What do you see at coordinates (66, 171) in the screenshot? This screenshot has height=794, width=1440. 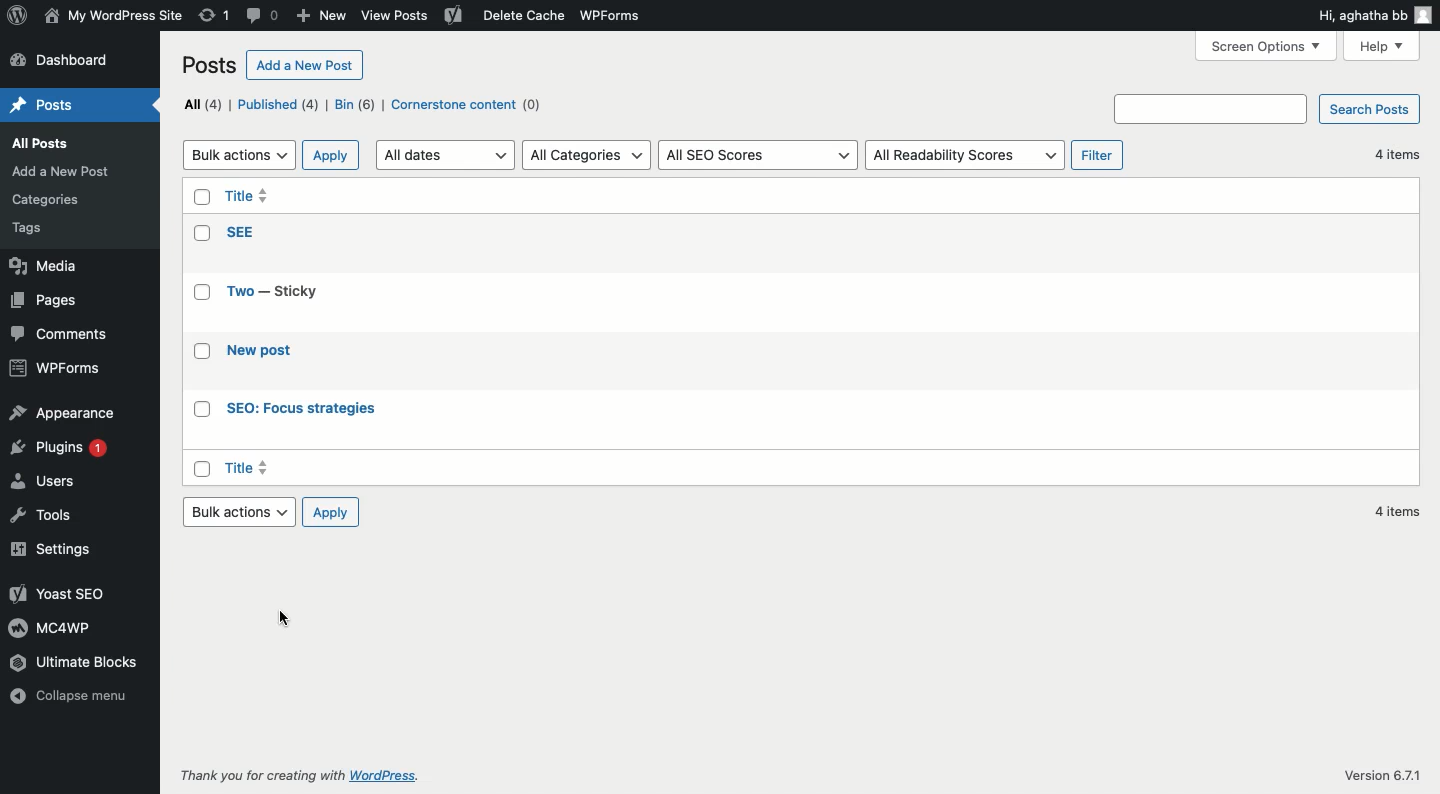 I see `Add a new post` at bounding box center [66, 171].